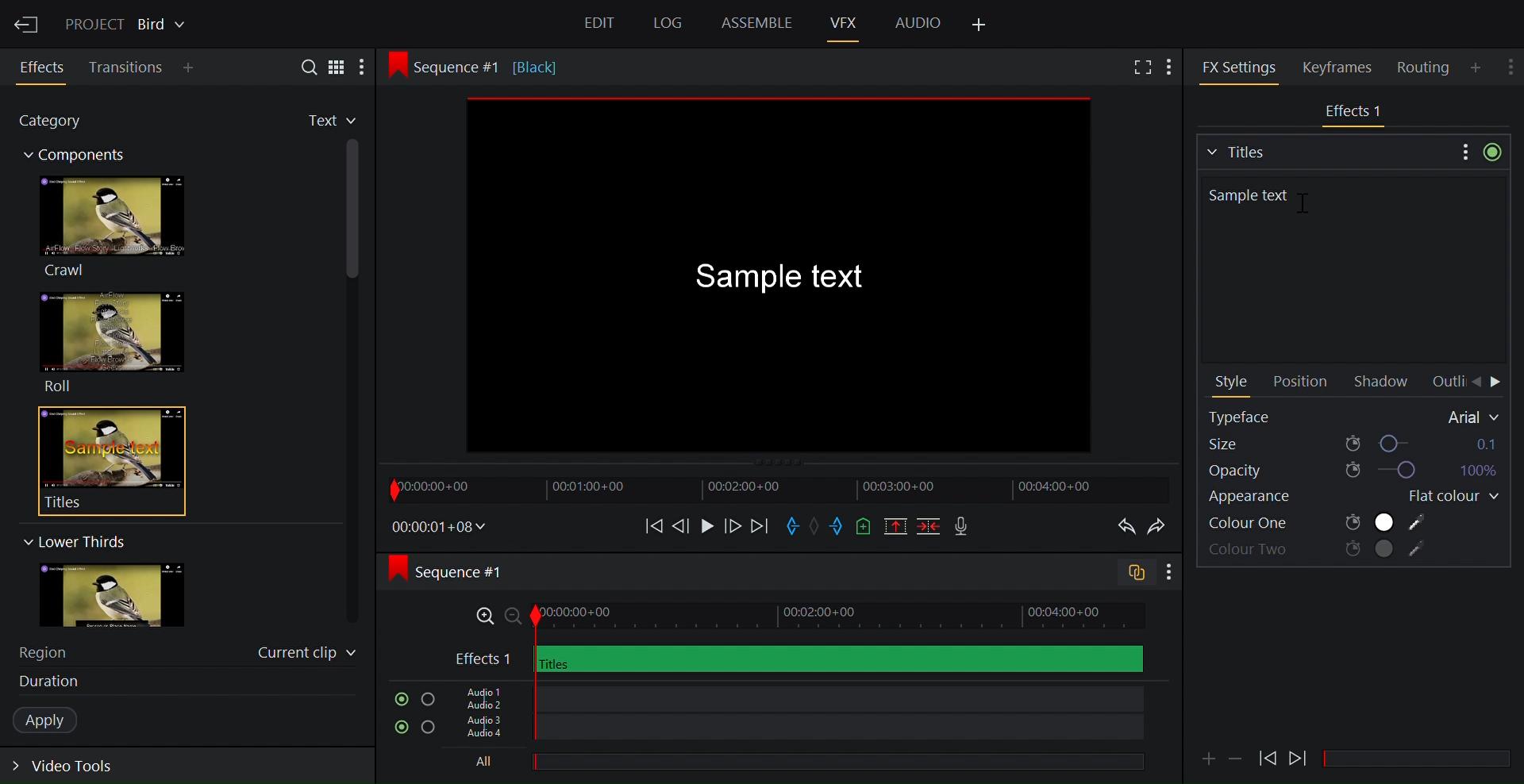 The height and width of the screenshot is (784, 1524). I want to click on Audio, so click(918, 21).